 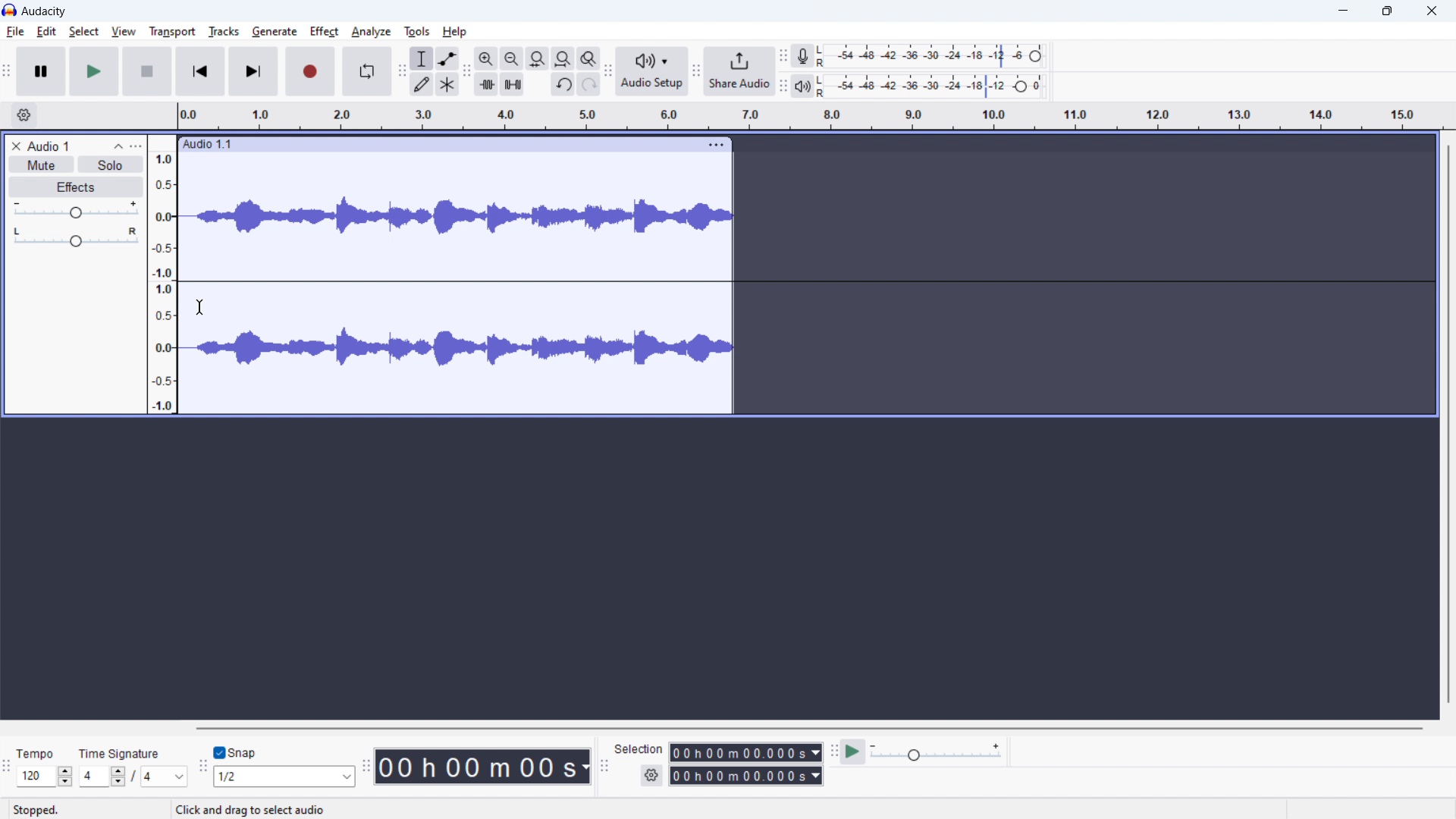 I want to click on fit project to width, so click(x=563, y=58).